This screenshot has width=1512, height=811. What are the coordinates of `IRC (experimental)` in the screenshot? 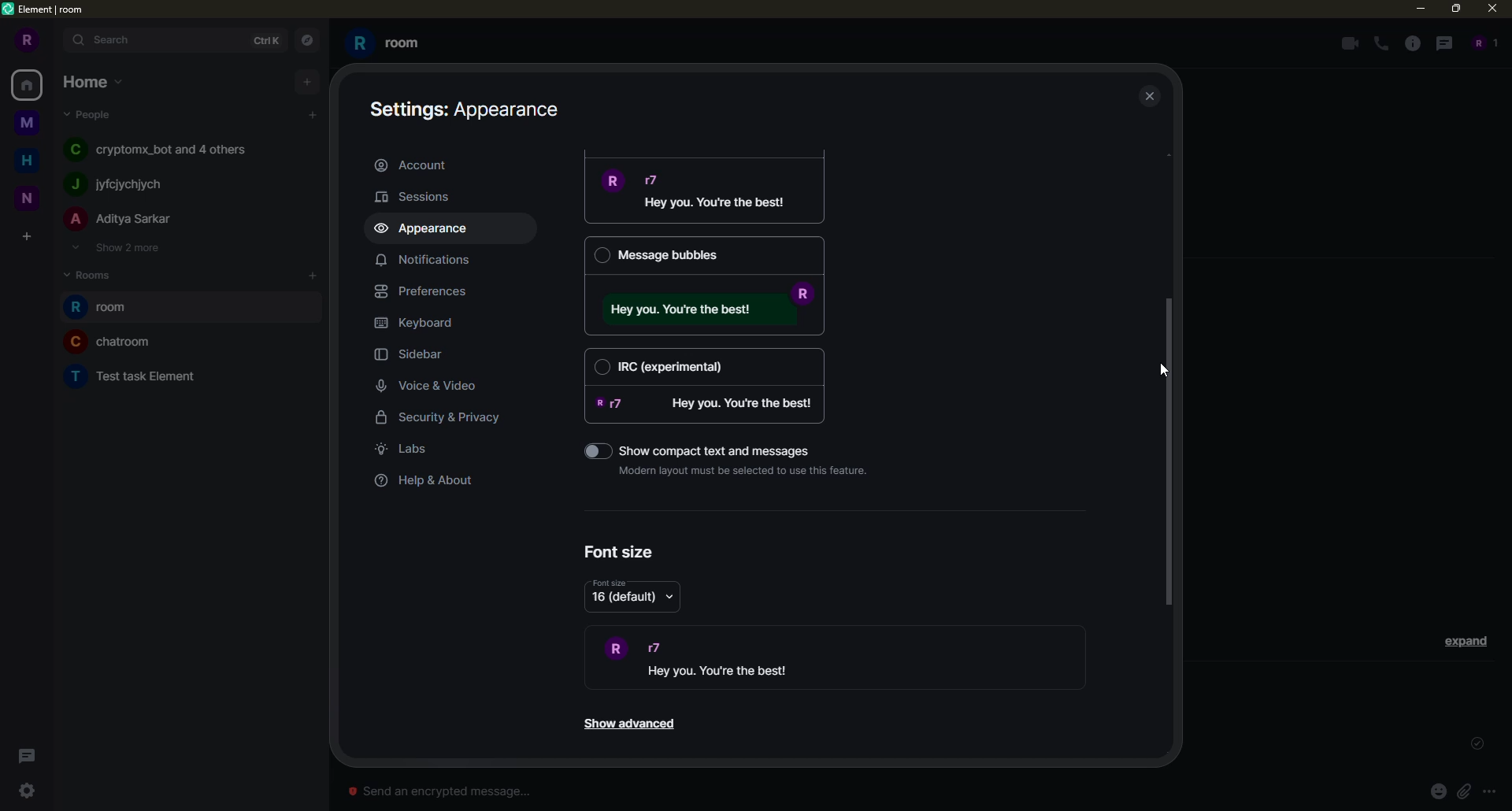 It's located at (705, 365).